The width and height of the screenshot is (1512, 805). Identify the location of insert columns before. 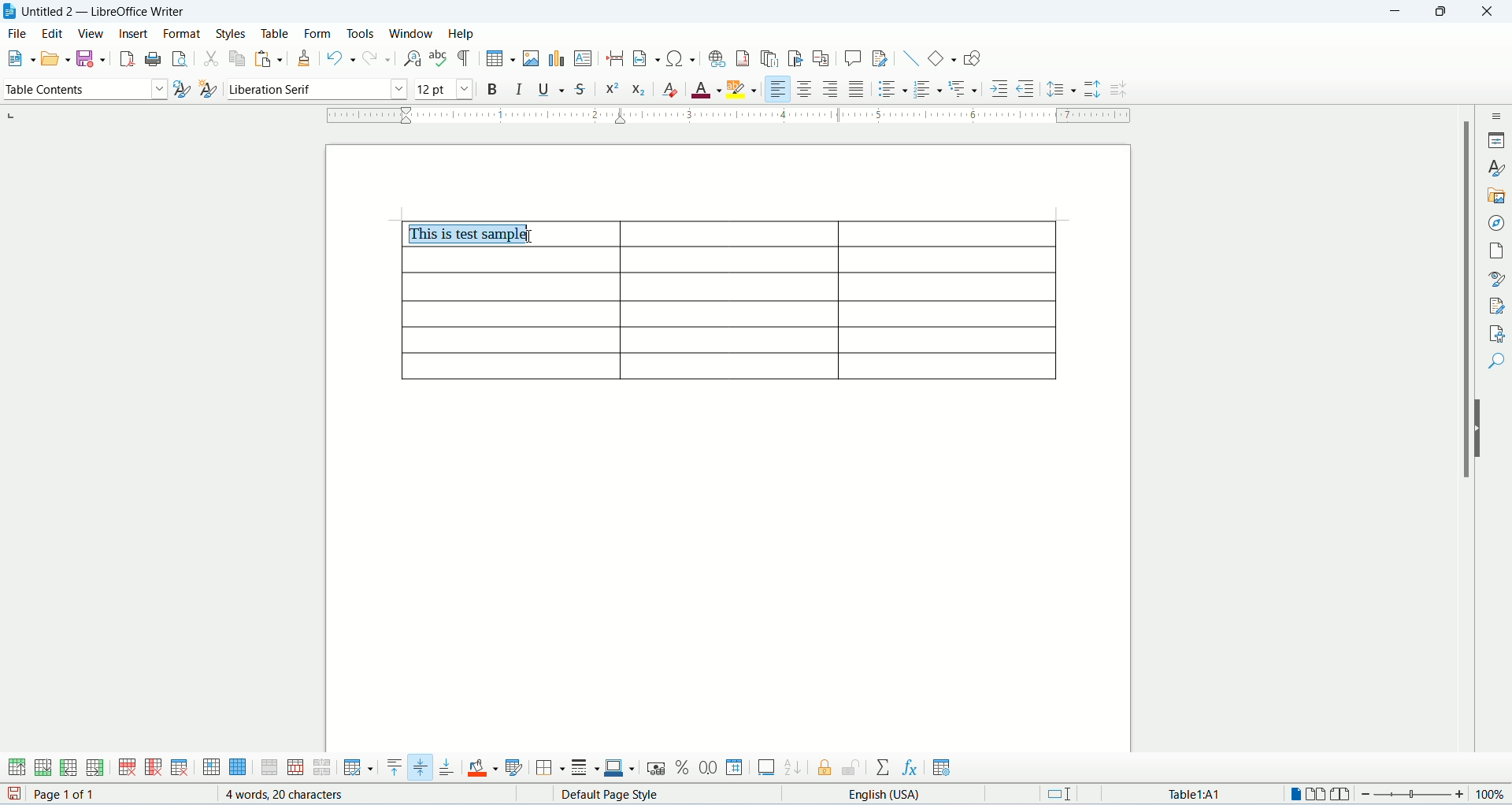
(68, 769).